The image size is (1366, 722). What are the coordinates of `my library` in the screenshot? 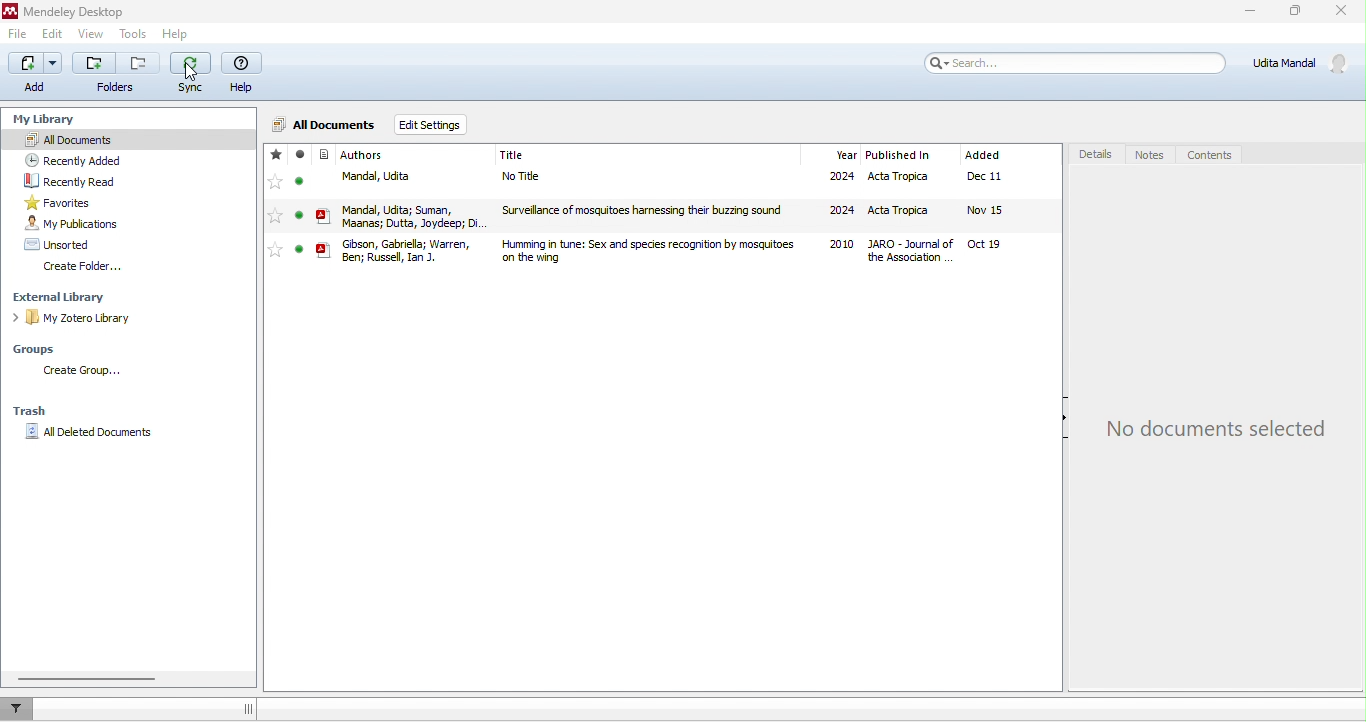 It's located at (59, 116).